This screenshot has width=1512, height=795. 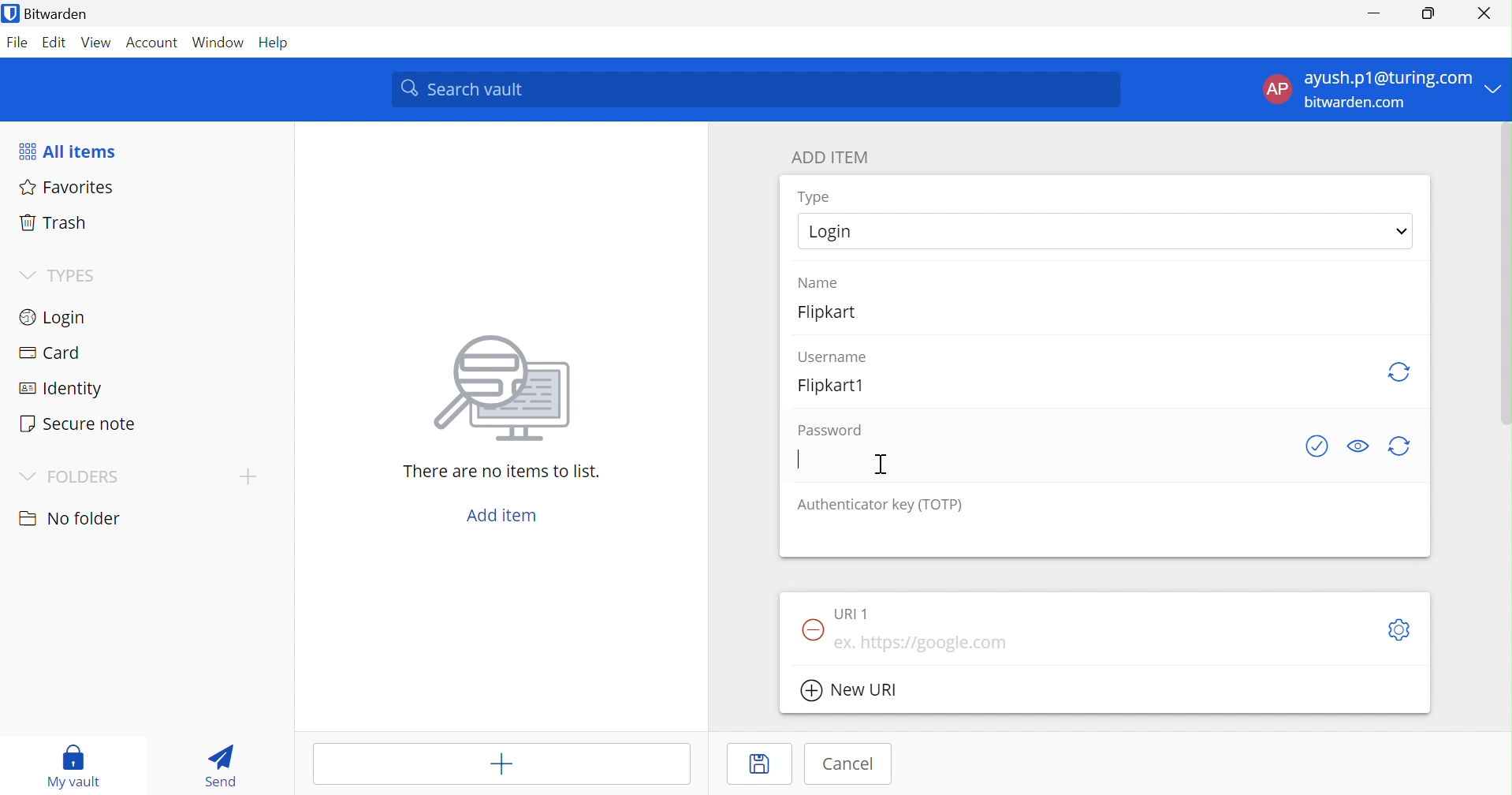 I want to click on Drop Down, so click(x=1496, y=88).